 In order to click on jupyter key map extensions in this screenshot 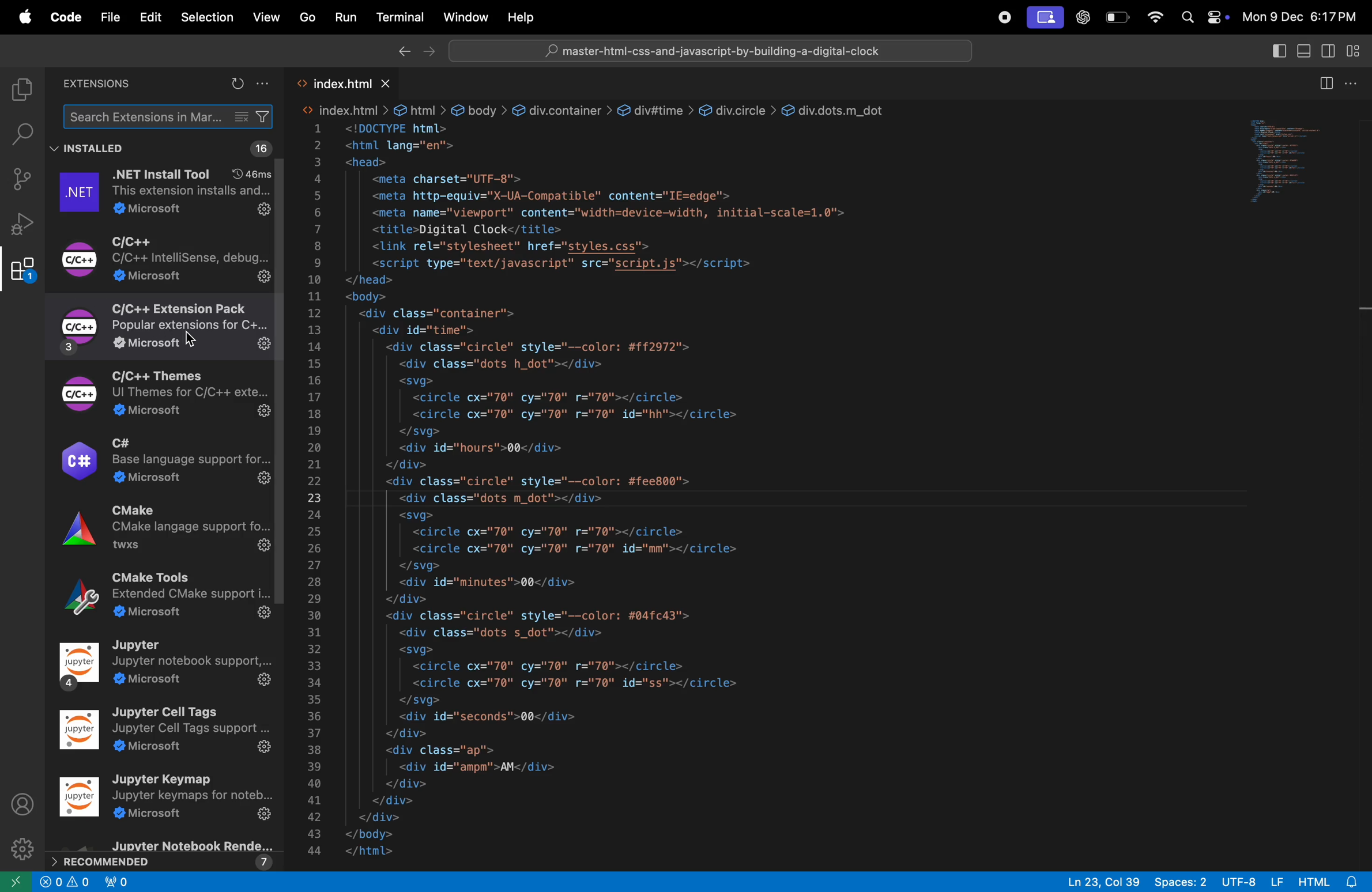, I will do `click(167, 799)`.